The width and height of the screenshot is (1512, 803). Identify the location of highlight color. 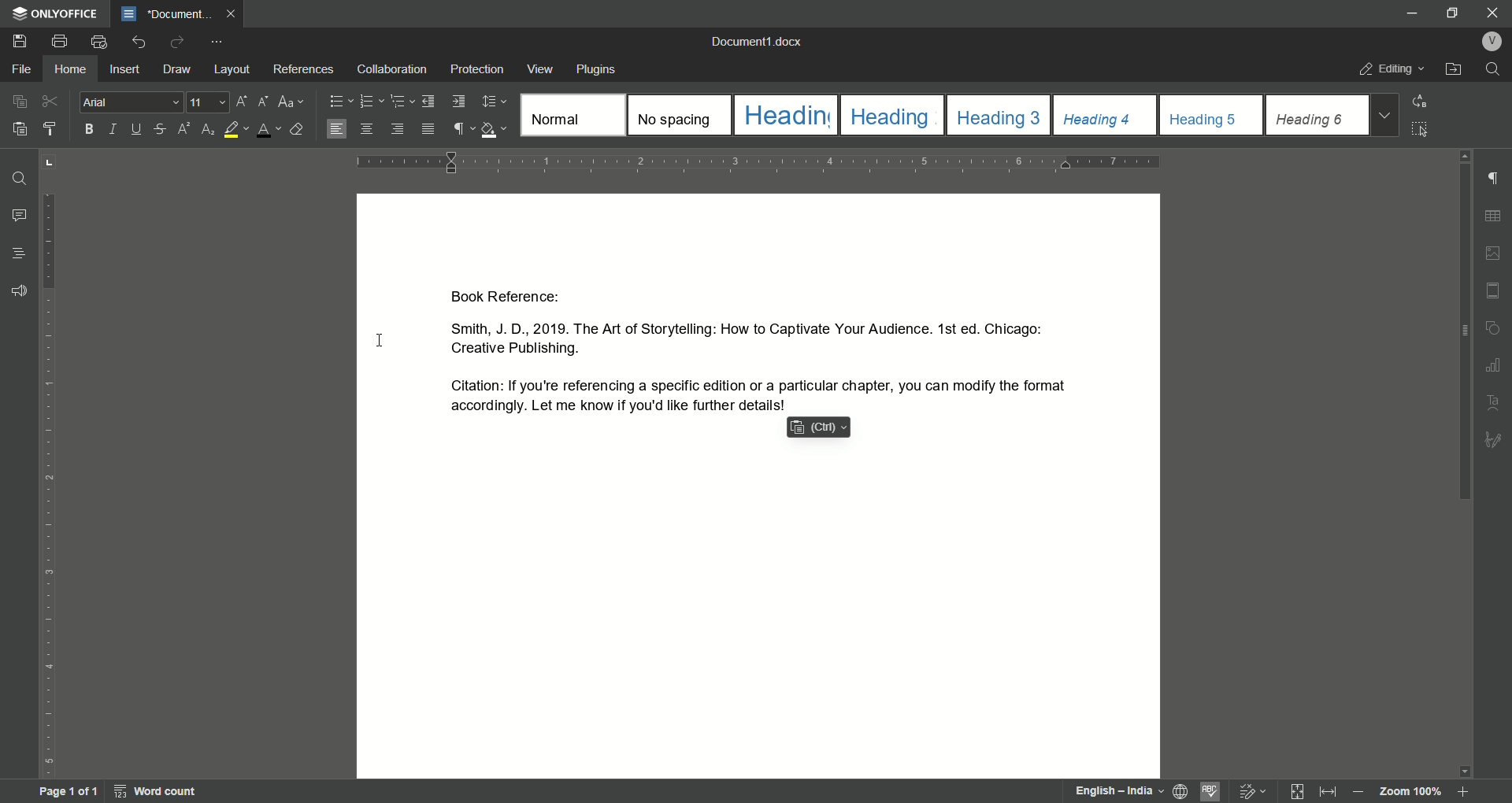
(235, 130).